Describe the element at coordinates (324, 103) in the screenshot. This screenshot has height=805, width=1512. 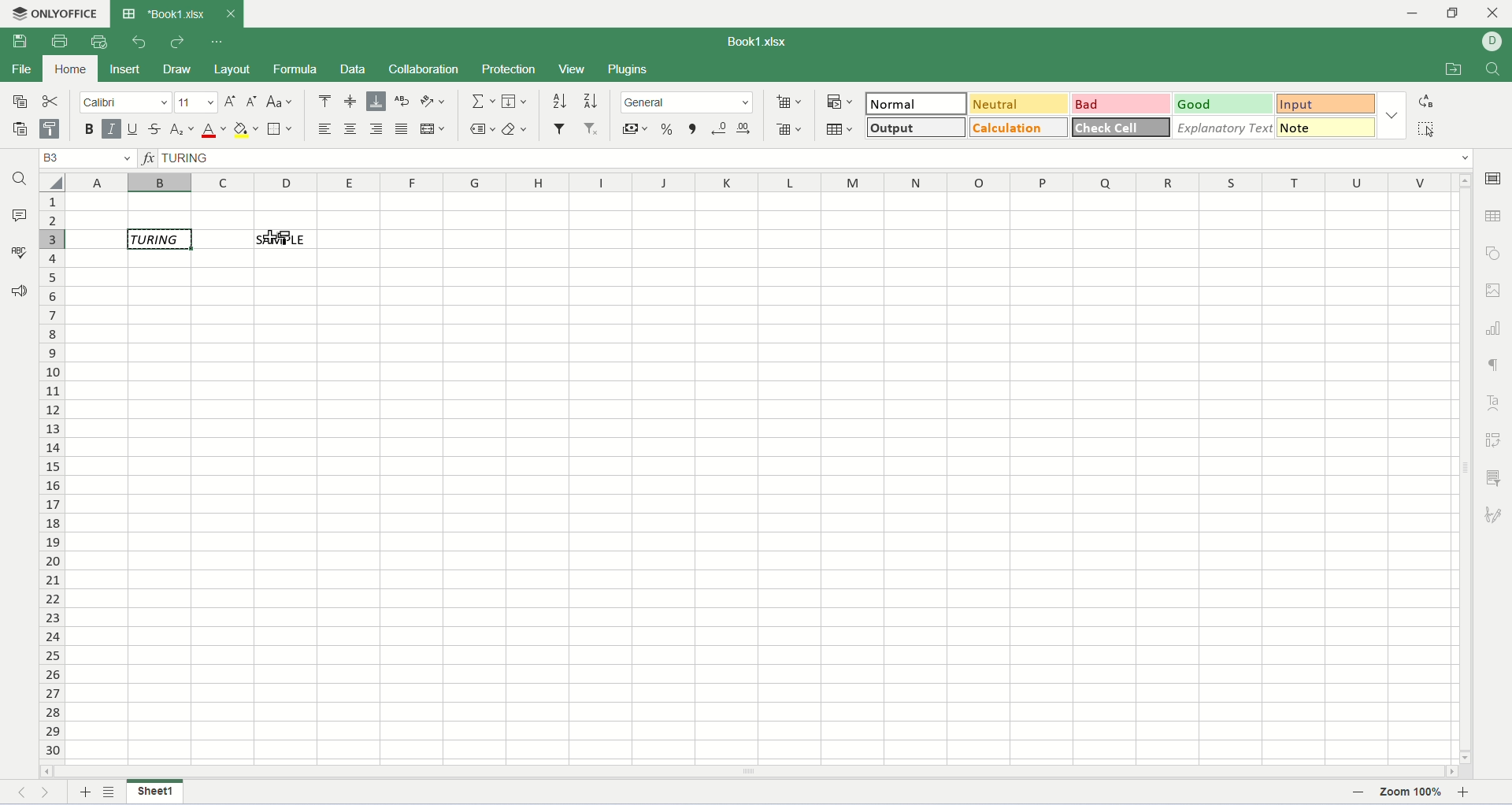
I see `align top` at that location.